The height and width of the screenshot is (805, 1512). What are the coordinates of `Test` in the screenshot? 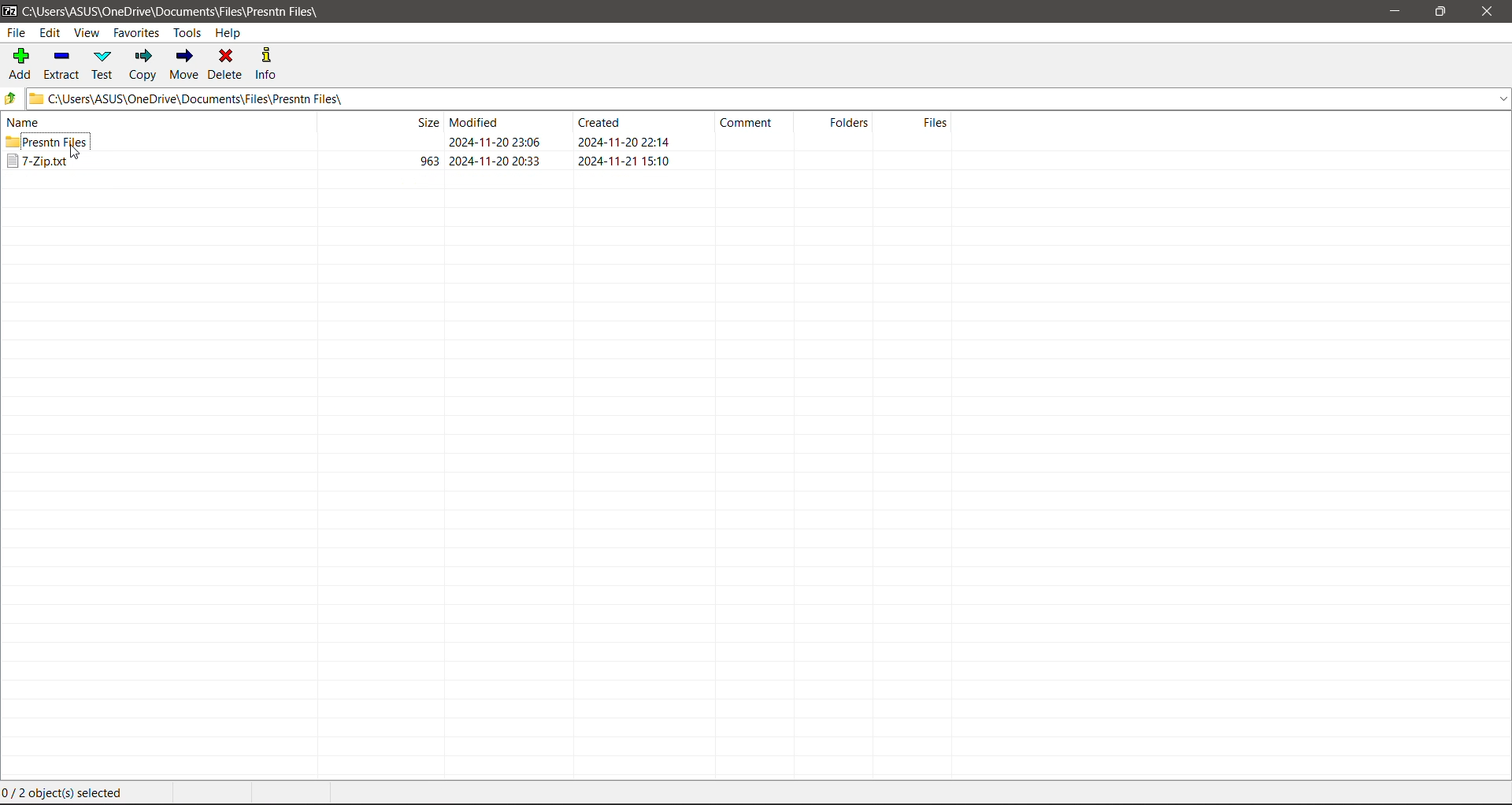 It's located at (104, 65).